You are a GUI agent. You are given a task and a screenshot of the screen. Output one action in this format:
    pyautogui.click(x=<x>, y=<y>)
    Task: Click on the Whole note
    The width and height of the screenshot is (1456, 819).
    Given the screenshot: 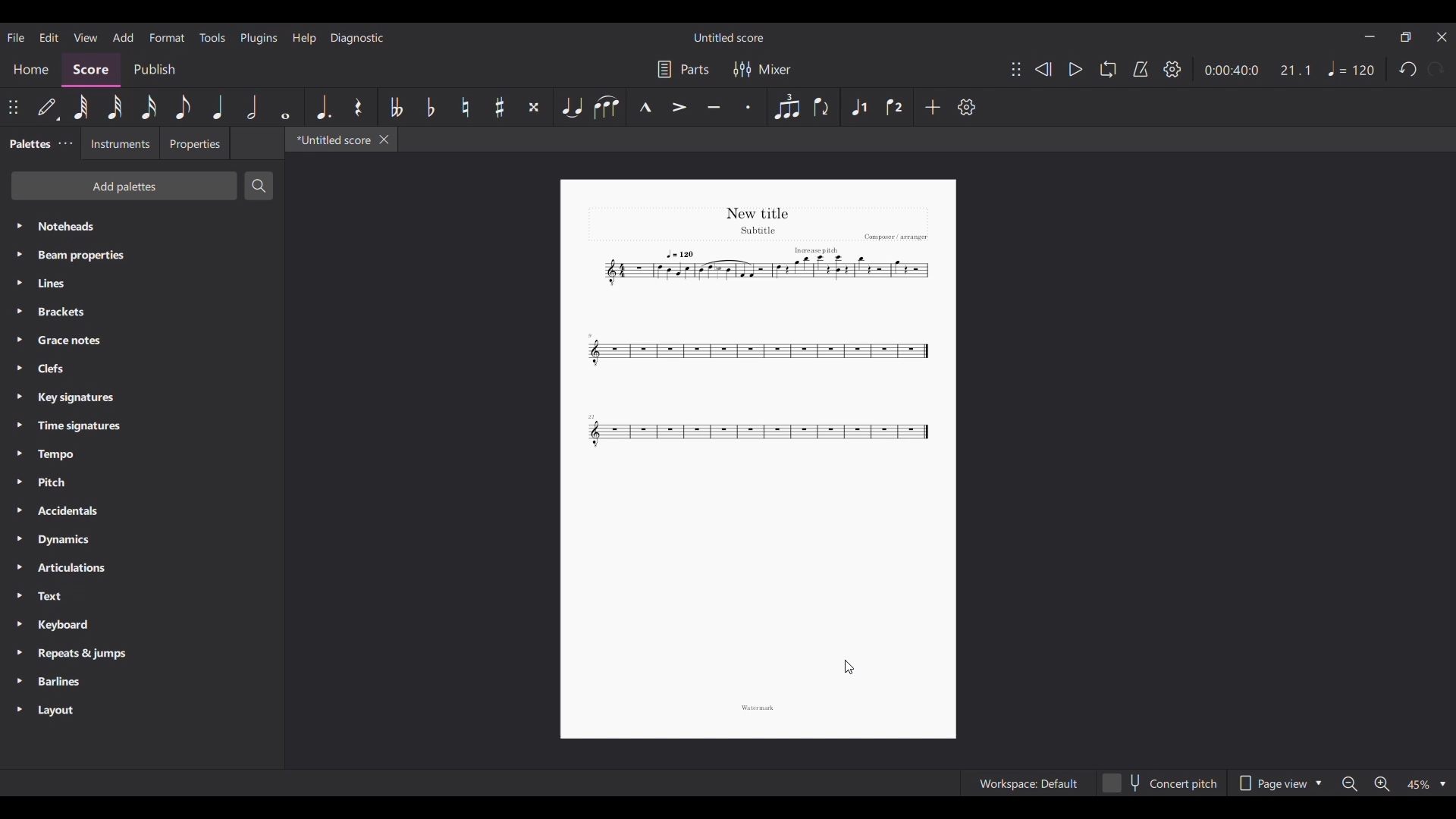 What is the action you would take?
    pyautogui.click(x=285, y=107)
    